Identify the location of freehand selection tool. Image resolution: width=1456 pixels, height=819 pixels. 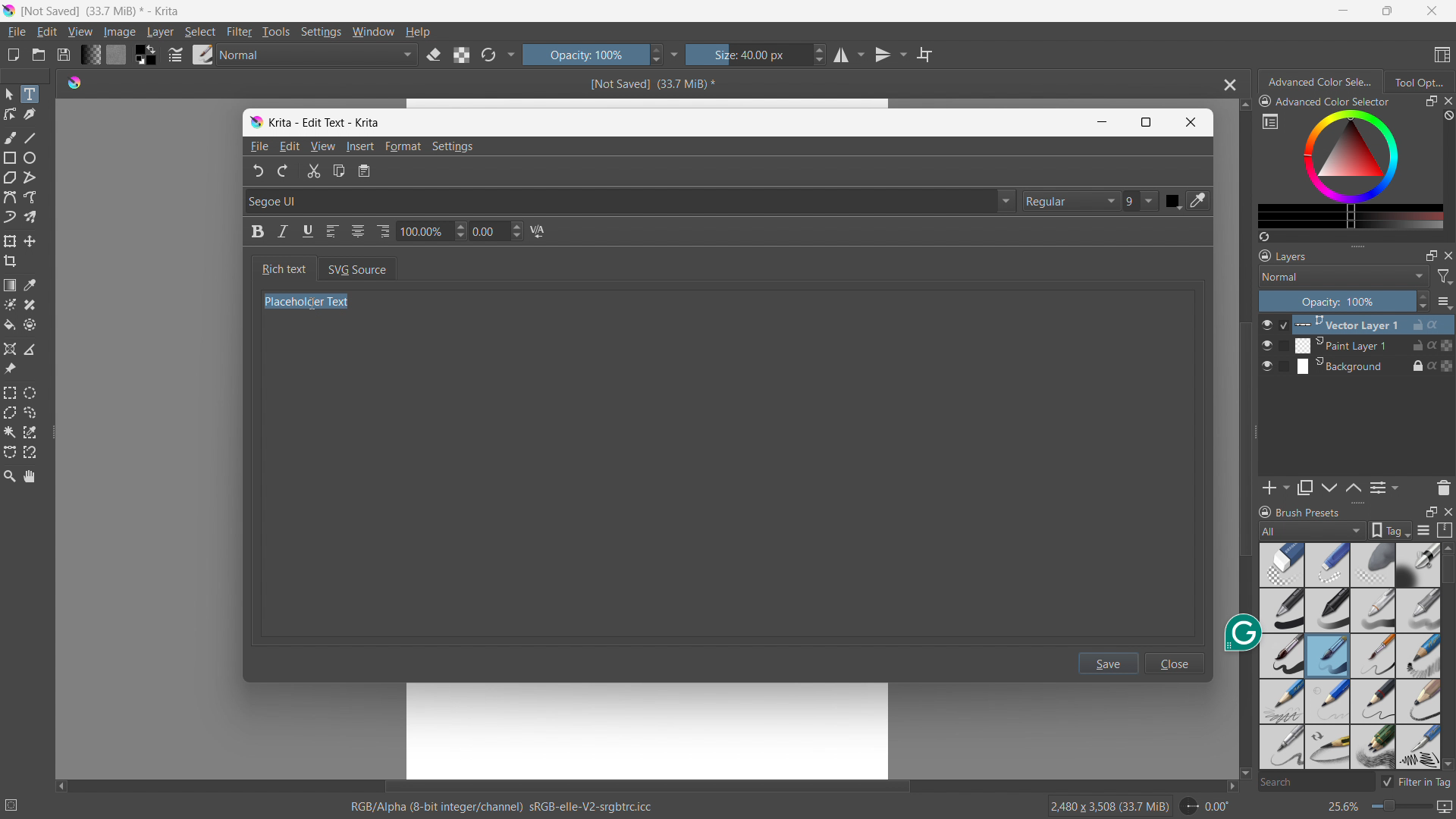
(30, 413).